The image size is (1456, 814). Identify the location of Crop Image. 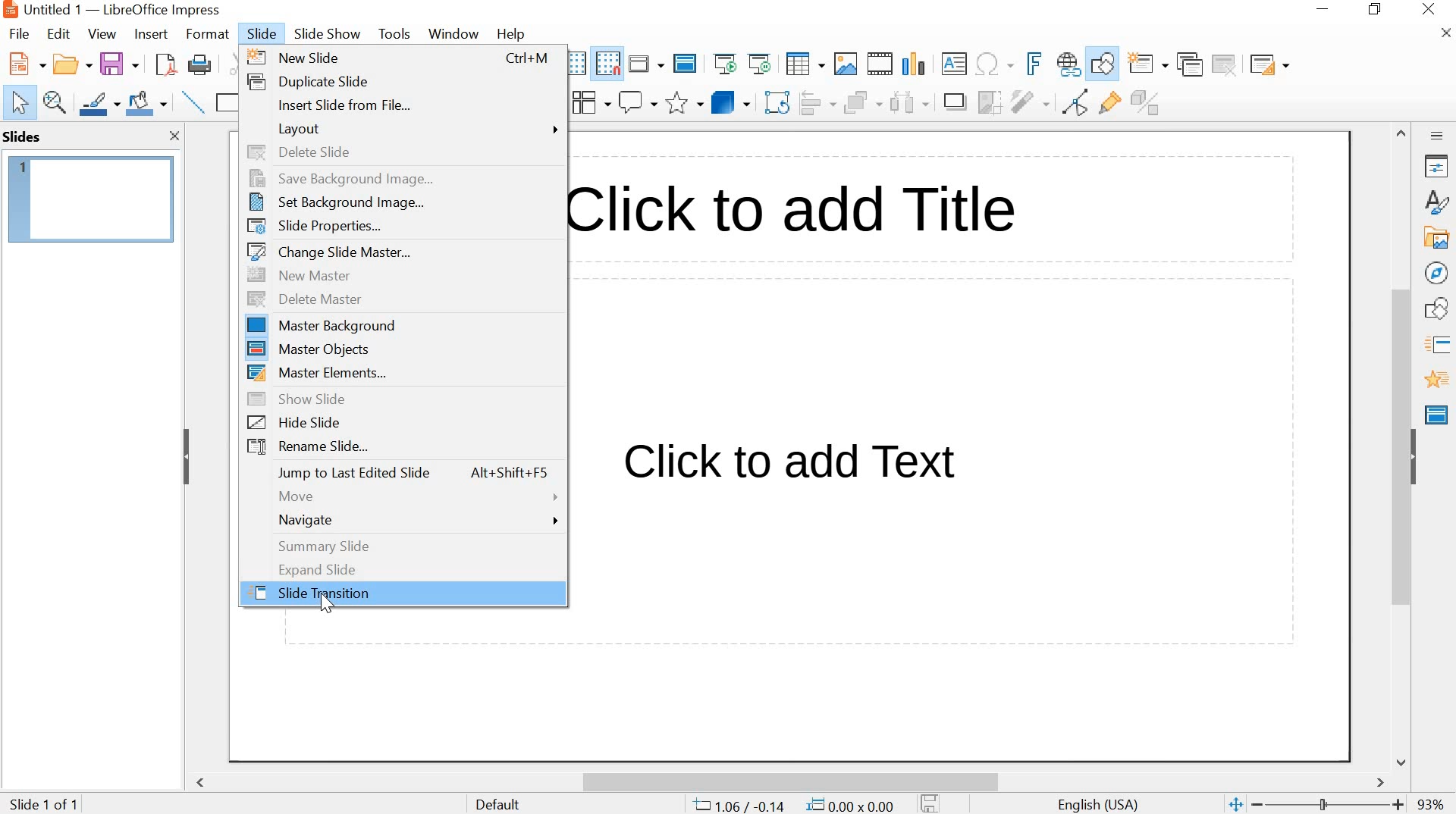
(988, 101).